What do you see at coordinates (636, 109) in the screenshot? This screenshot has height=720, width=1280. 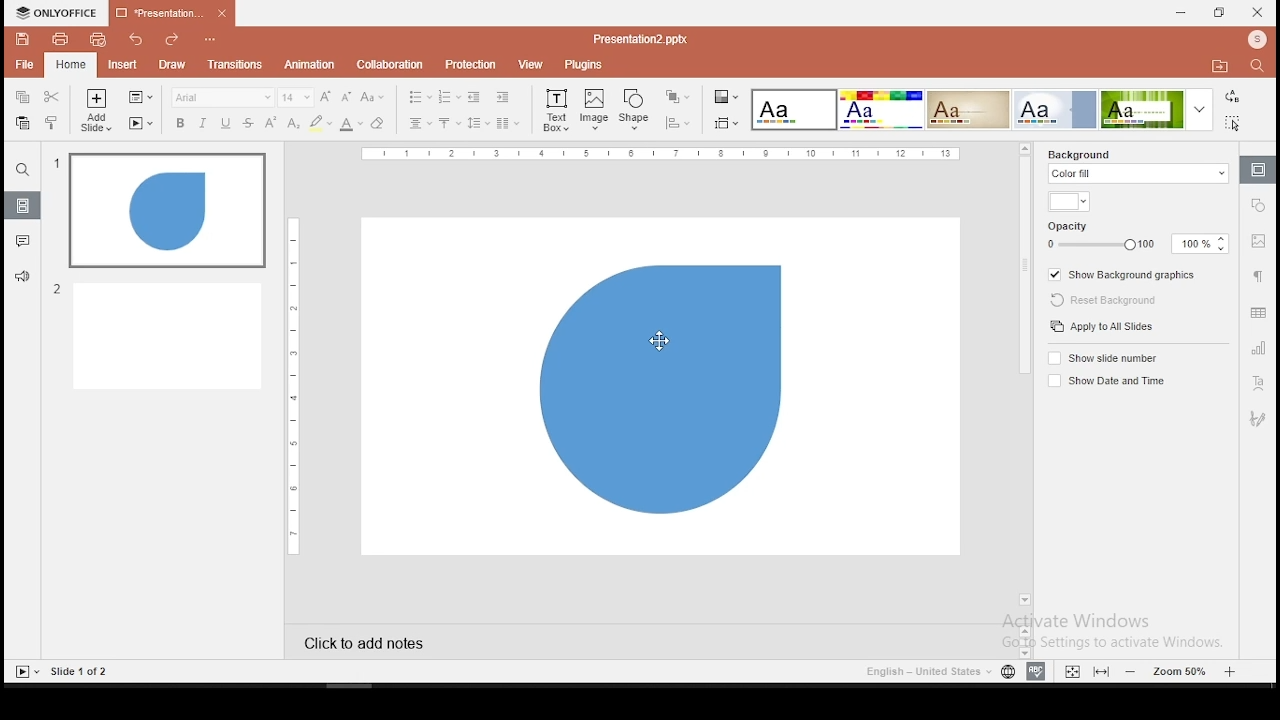 I see `shape` at bounding box center [636, 109].